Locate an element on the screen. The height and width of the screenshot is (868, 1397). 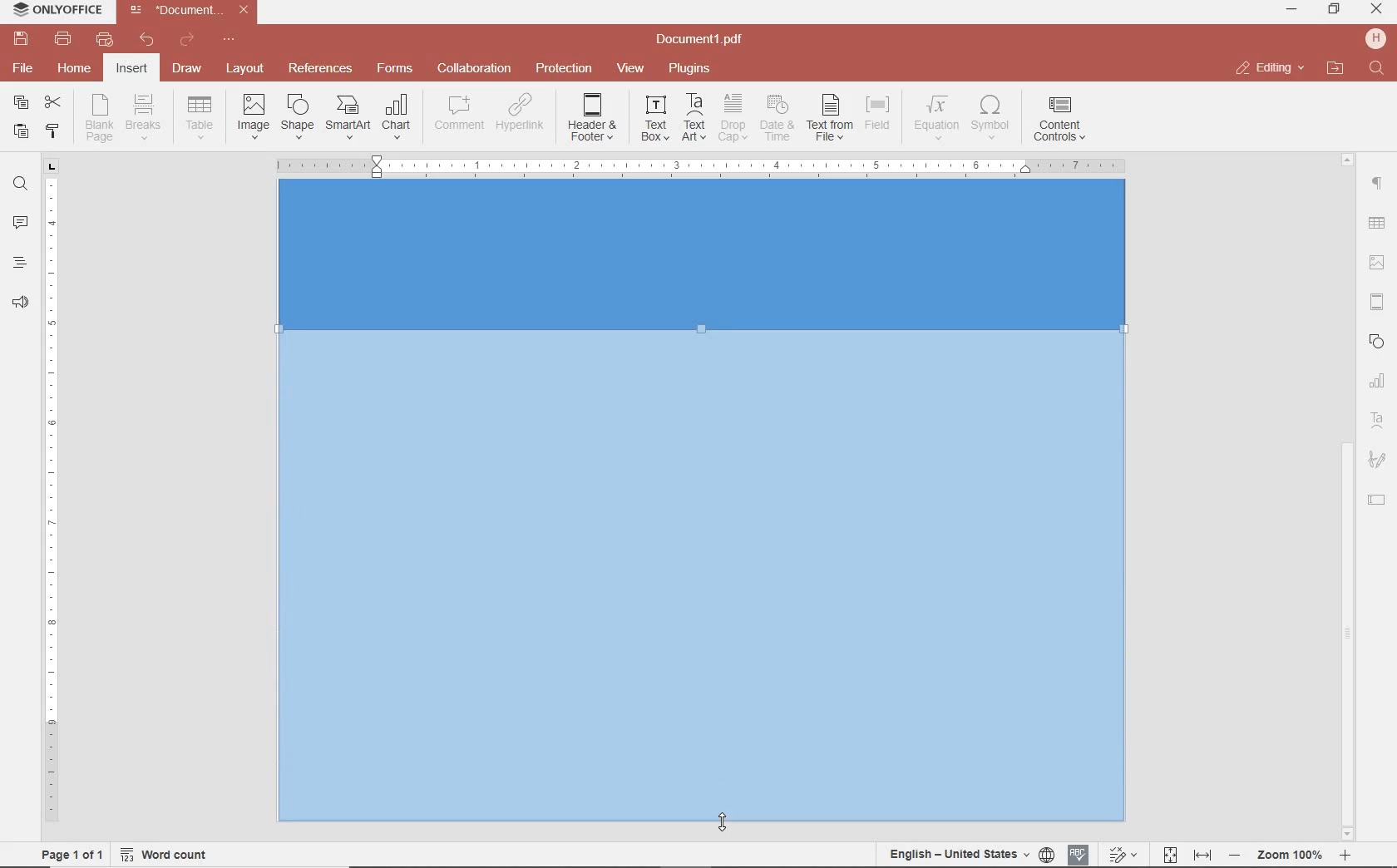
INSERT PAGE OR SECTION BREAK is located at coordinates (143, 118).